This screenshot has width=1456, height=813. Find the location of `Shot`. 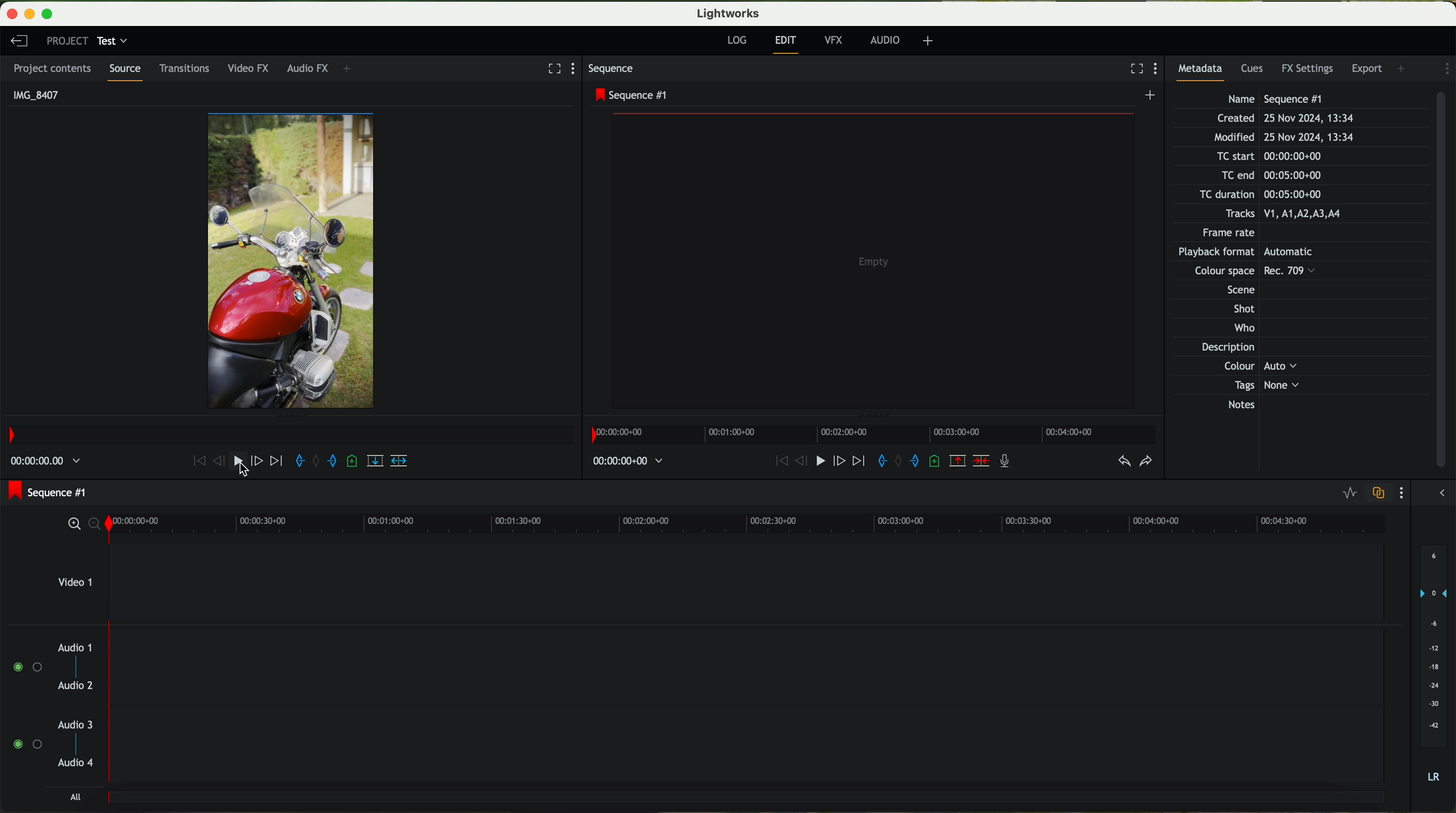

Shot is located at coordinates (1242, 309).